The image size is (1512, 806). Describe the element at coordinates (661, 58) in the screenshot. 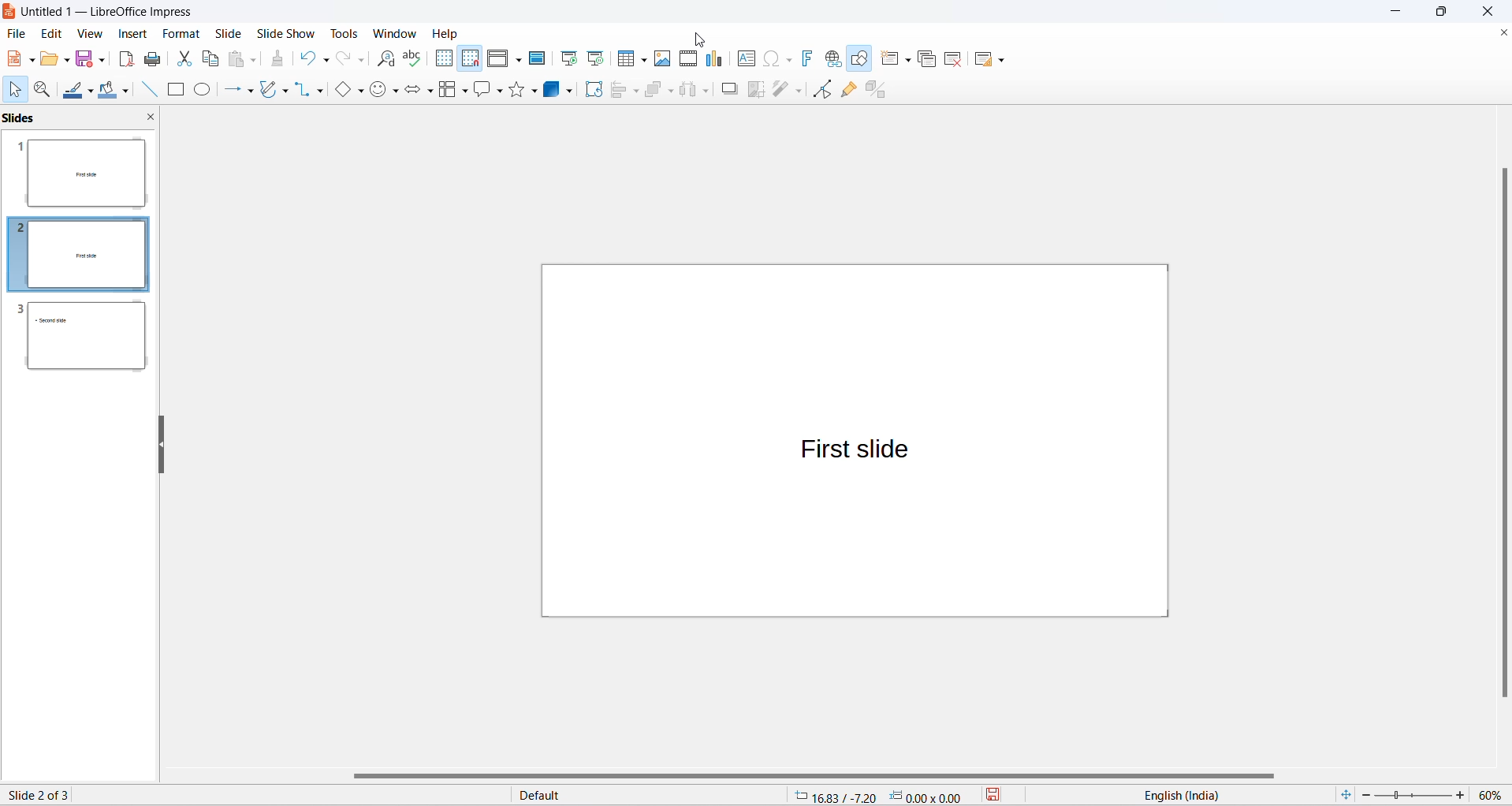

I see `insert images` at that location.